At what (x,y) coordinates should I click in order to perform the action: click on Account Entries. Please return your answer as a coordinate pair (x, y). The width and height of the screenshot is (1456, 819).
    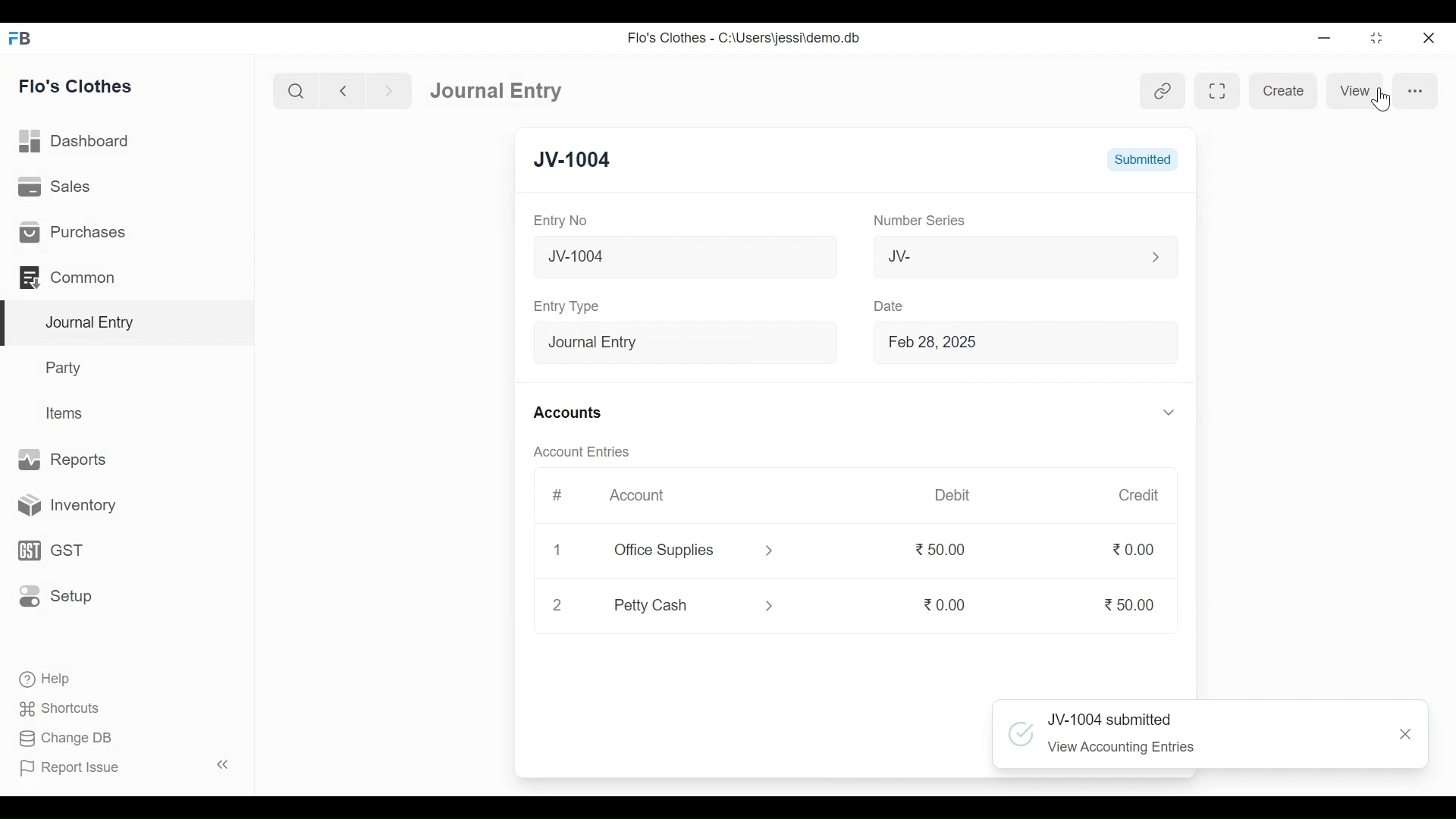
    Looking at the image, I should click on (581, 451).